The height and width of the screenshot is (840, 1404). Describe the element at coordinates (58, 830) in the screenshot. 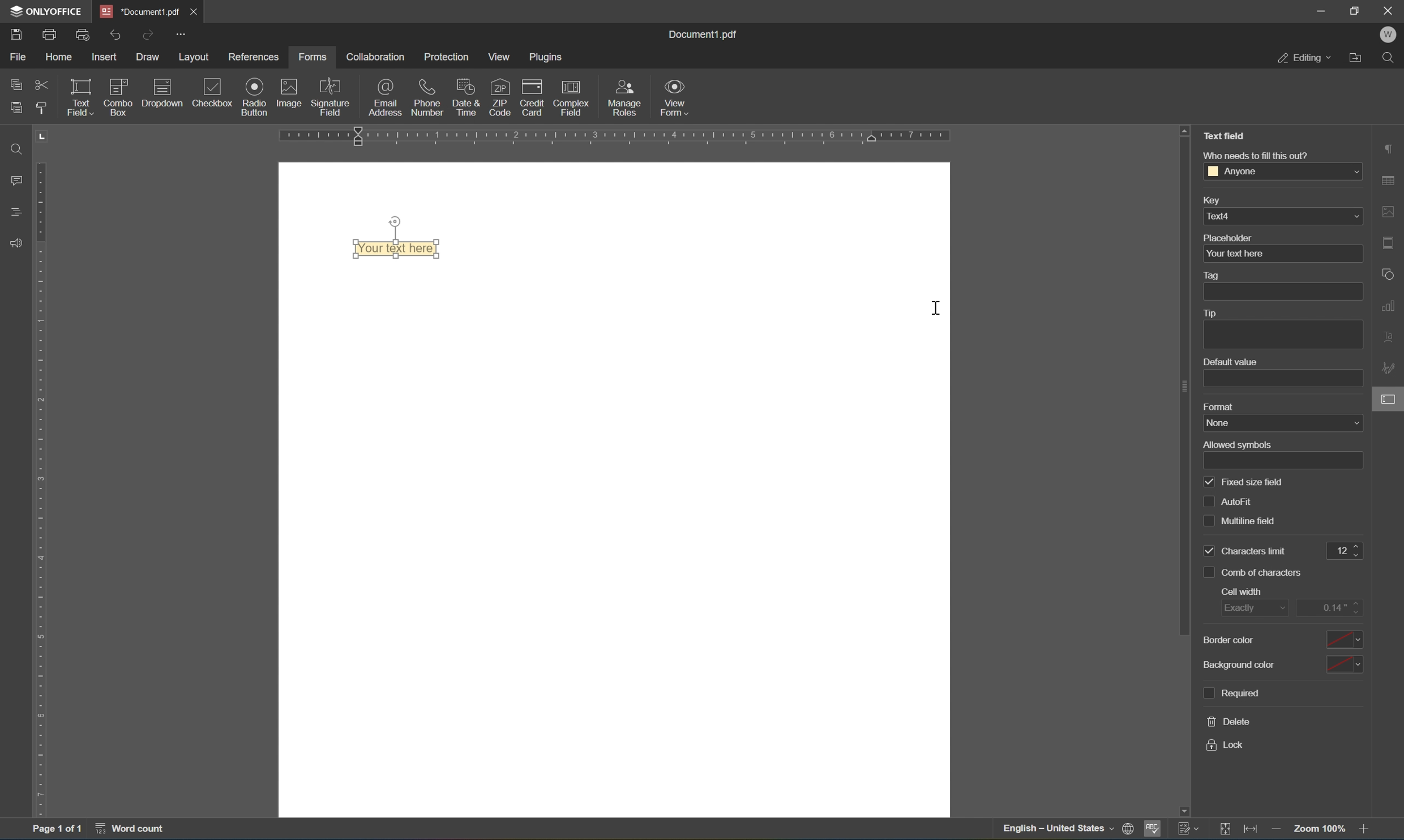

I see `Page 1 of 1` at that location.